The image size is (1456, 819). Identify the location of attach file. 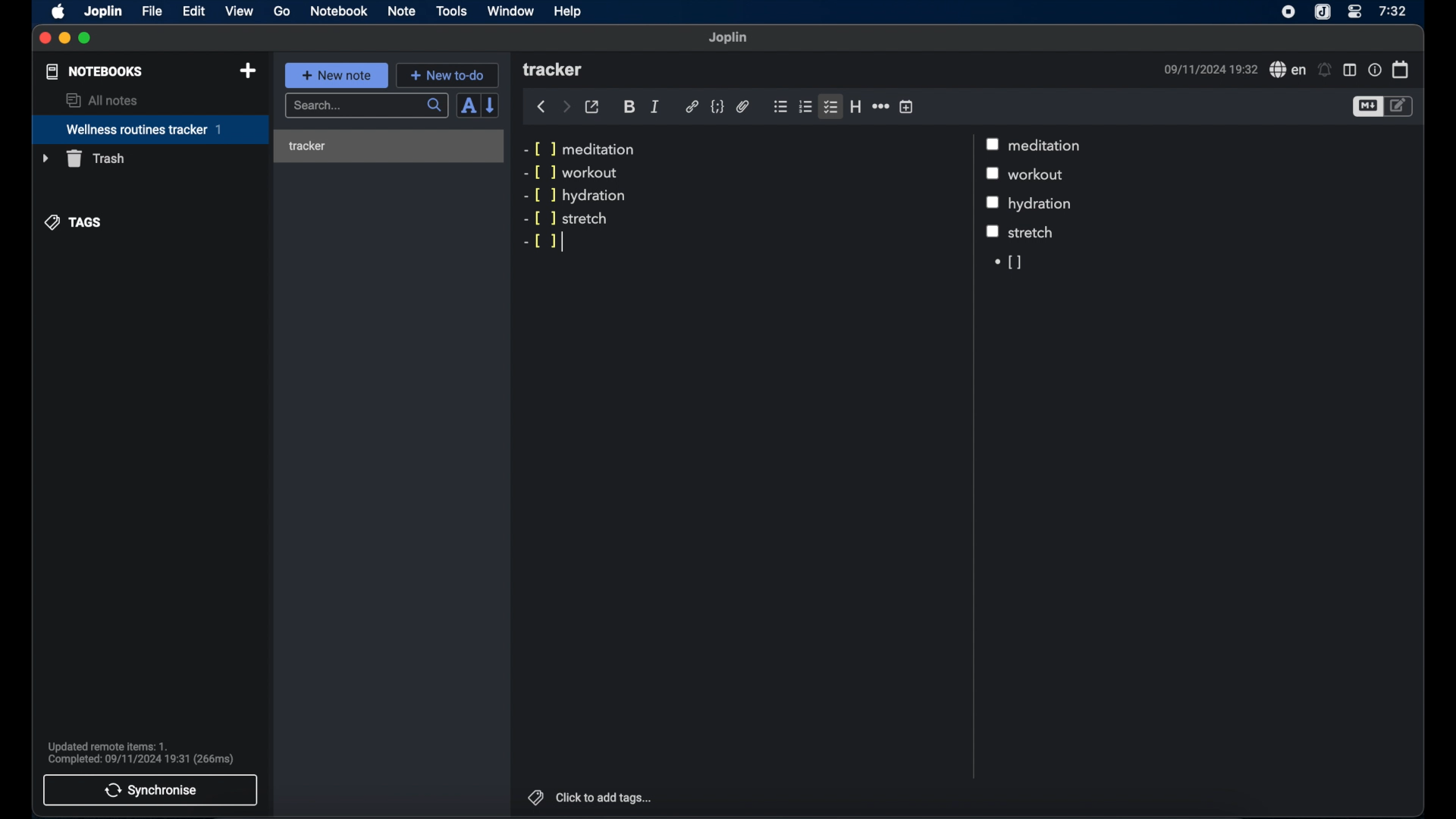
(743, 108).